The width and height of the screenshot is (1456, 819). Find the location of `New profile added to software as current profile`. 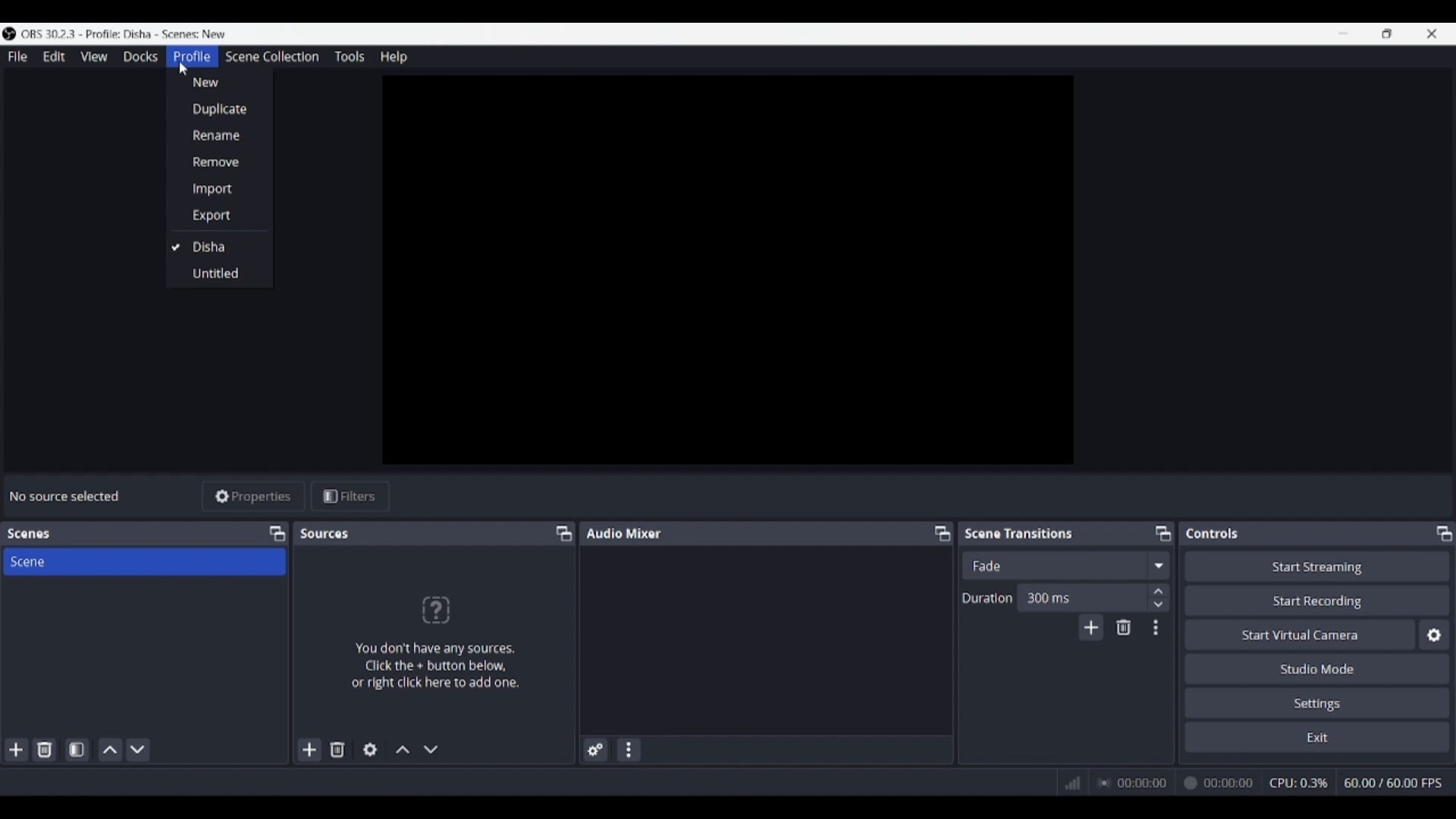

New profile added to software as current profile is located at coordinates (218, 246).